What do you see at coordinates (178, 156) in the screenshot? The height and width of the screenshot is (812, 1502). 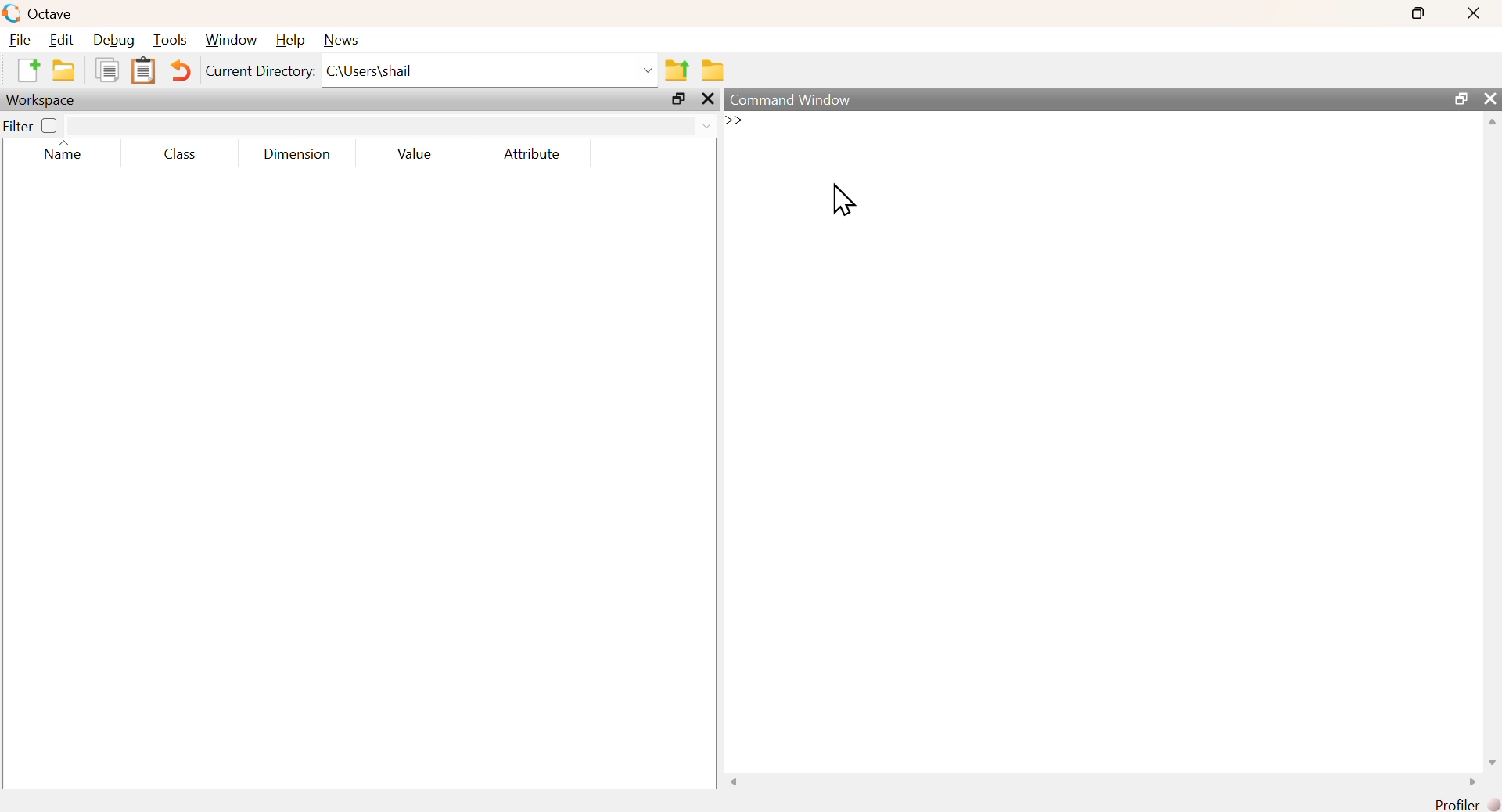 I see `class` at bounding box center [178, 156].